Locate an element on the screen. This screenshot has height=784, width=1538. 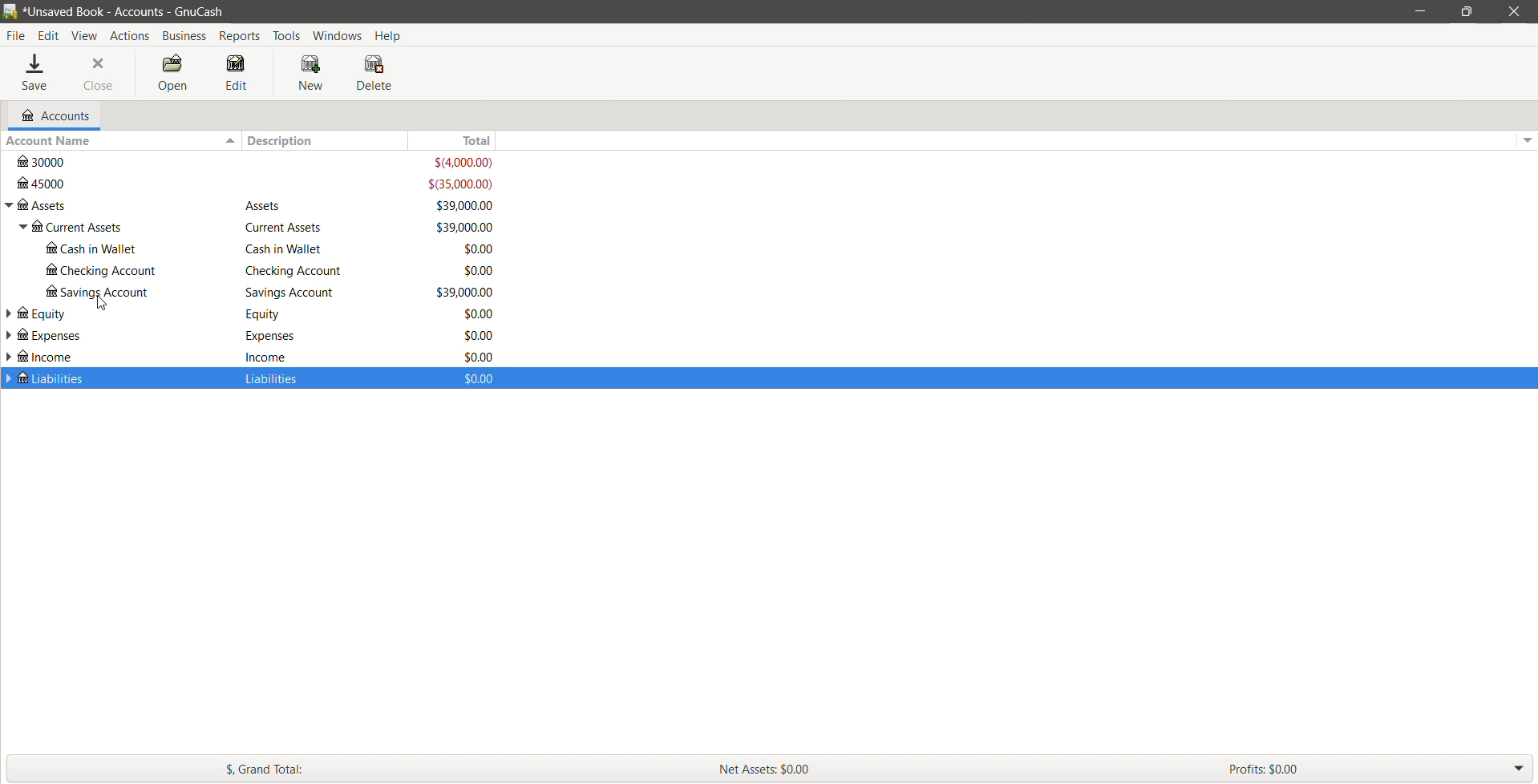
$0.00 is located at coordinates (479, 334).